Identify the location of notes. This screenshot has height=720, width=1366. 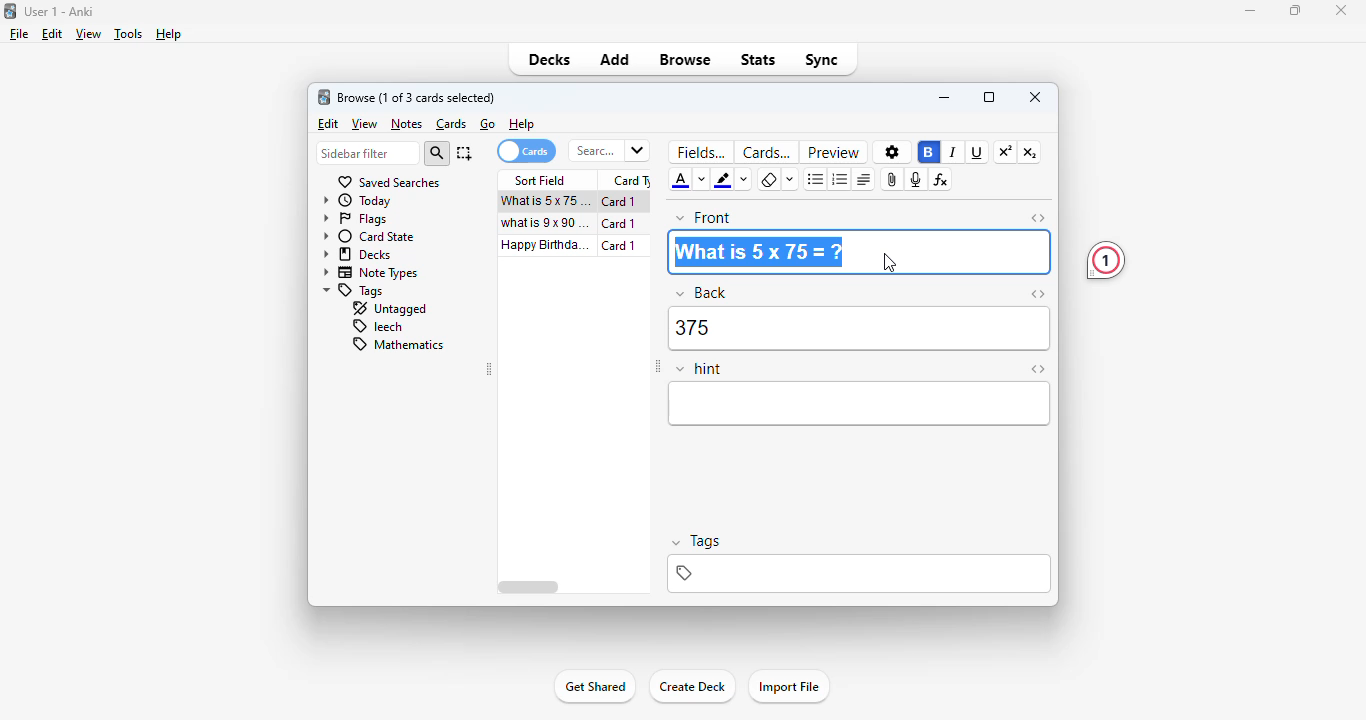
(406, 124).